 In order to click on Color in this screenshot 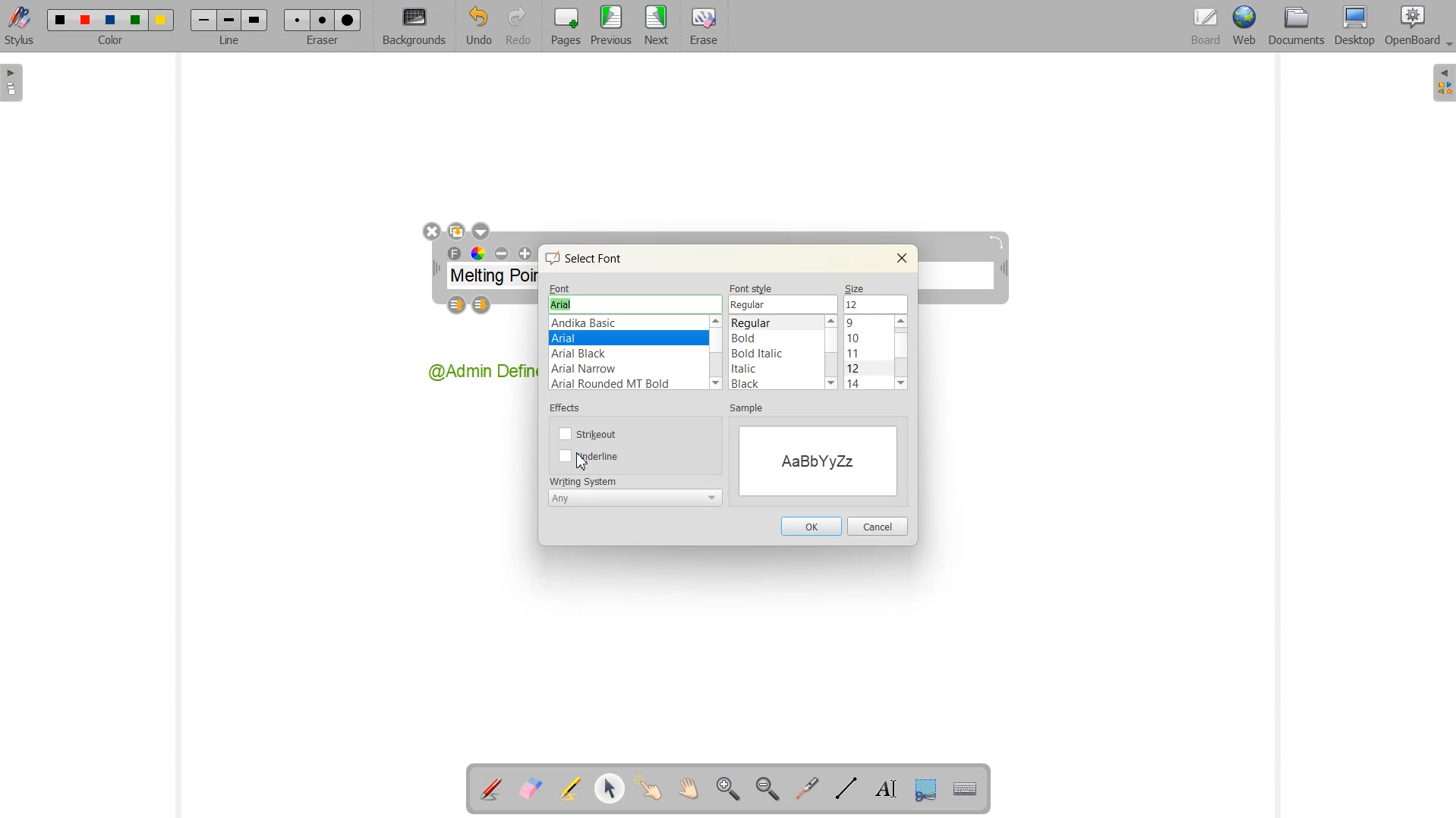, I will do `click(113, 27)`.